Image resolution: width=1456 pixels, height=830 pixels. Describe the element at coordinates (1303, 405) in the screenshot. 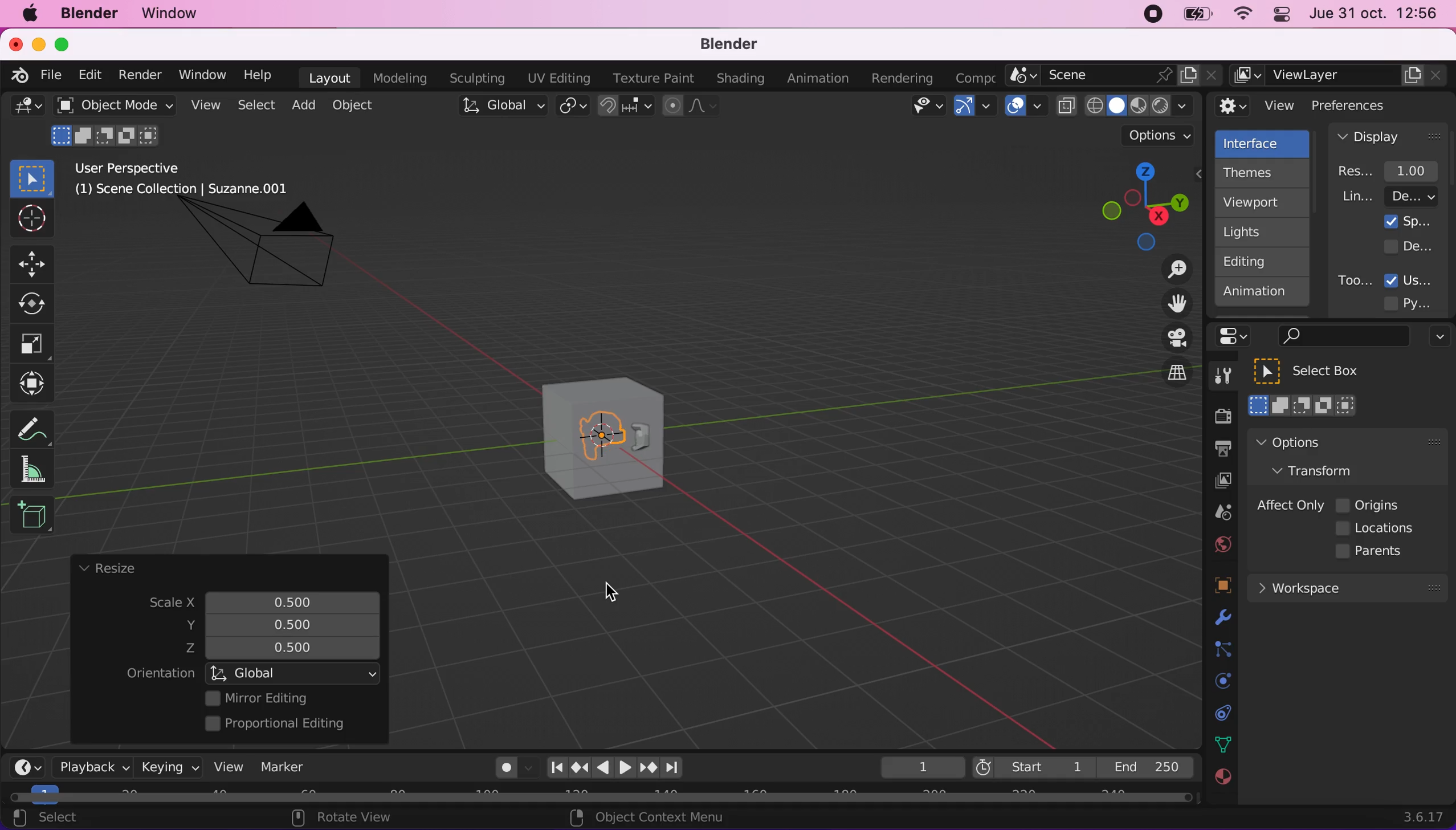

I see `select box mode` at that location.